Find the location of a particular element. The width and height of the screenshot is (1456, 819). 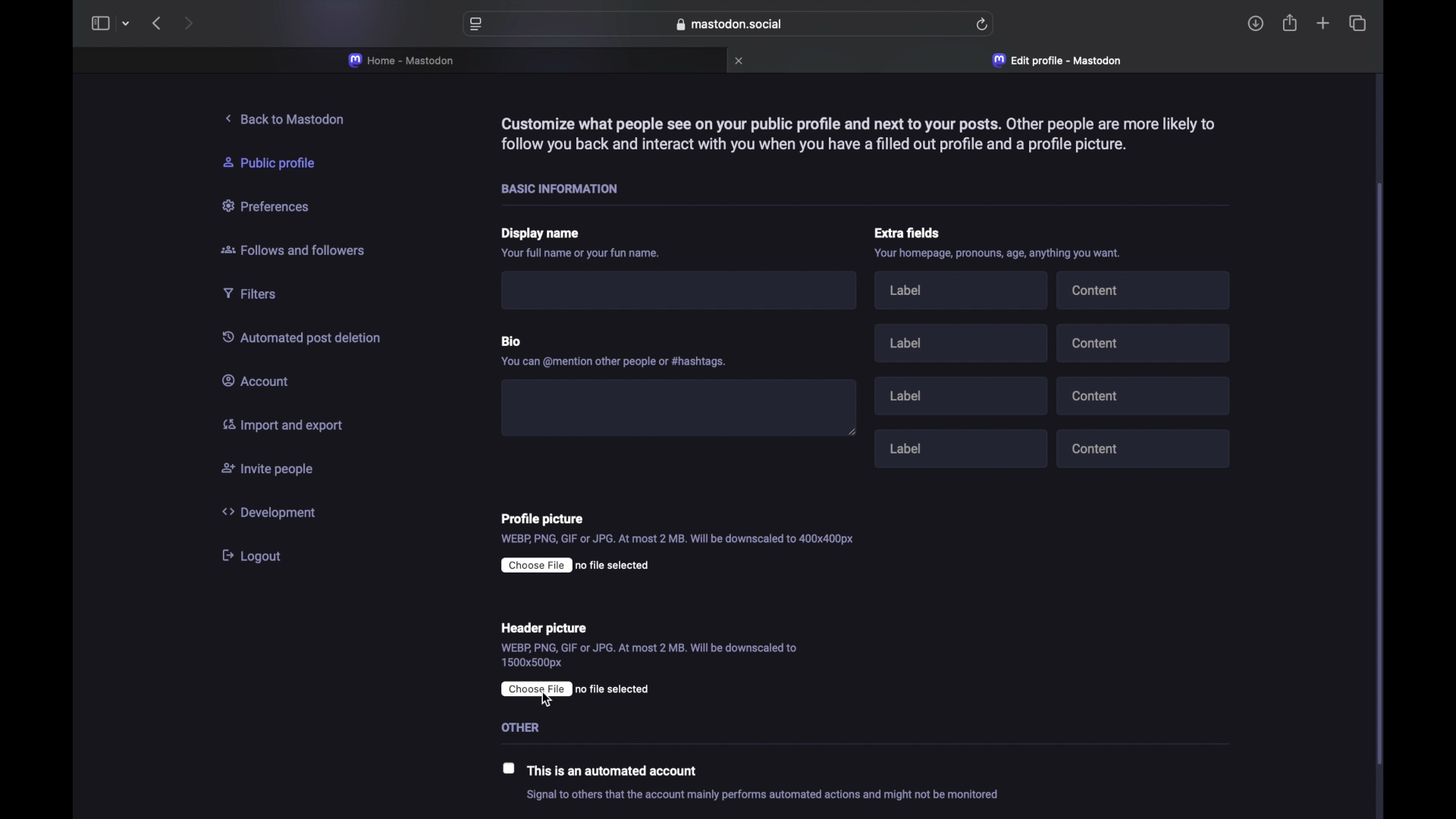

info is located at coordinates (763, 795).